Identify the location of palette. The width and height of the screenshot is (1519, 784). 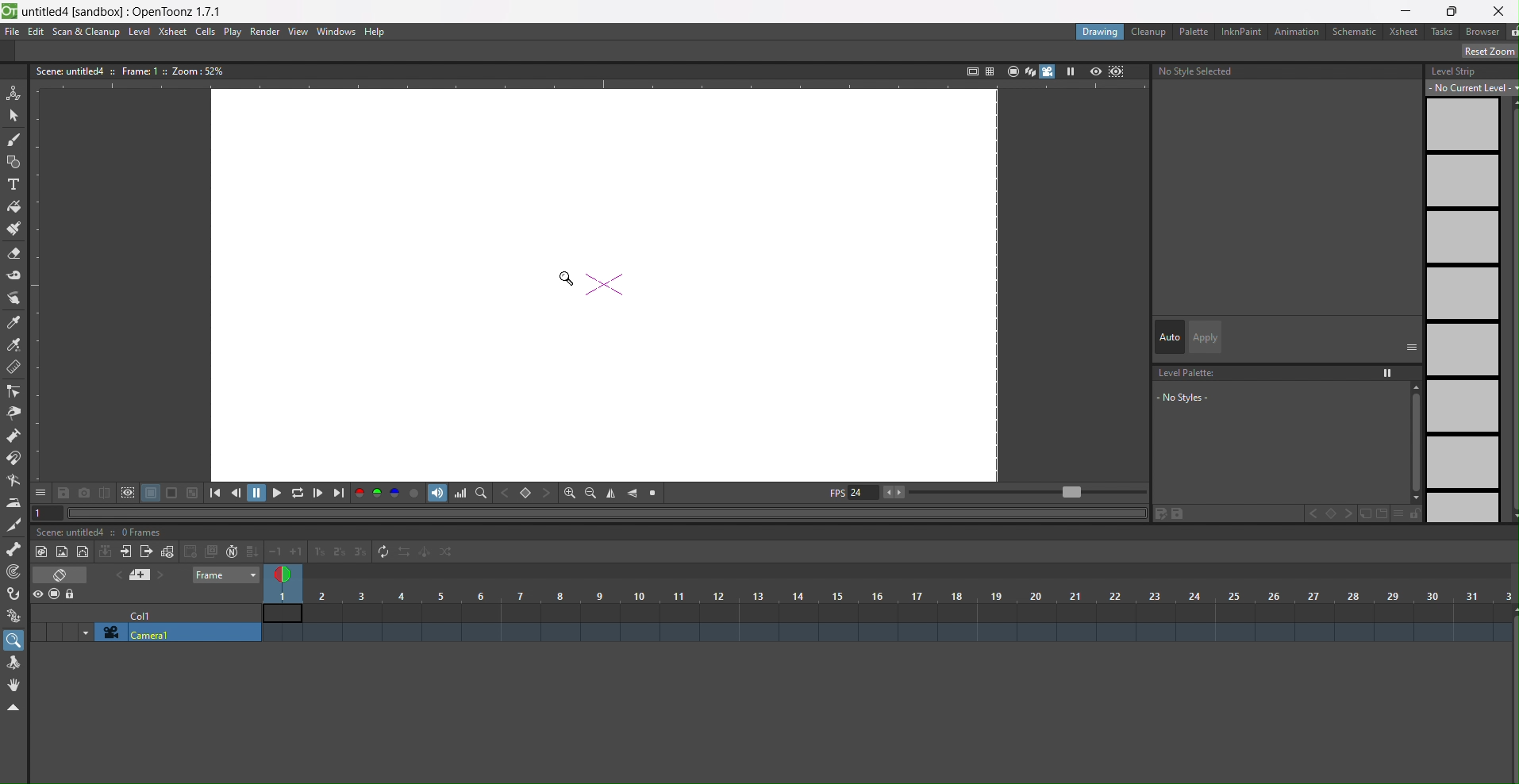
(1193, 31).